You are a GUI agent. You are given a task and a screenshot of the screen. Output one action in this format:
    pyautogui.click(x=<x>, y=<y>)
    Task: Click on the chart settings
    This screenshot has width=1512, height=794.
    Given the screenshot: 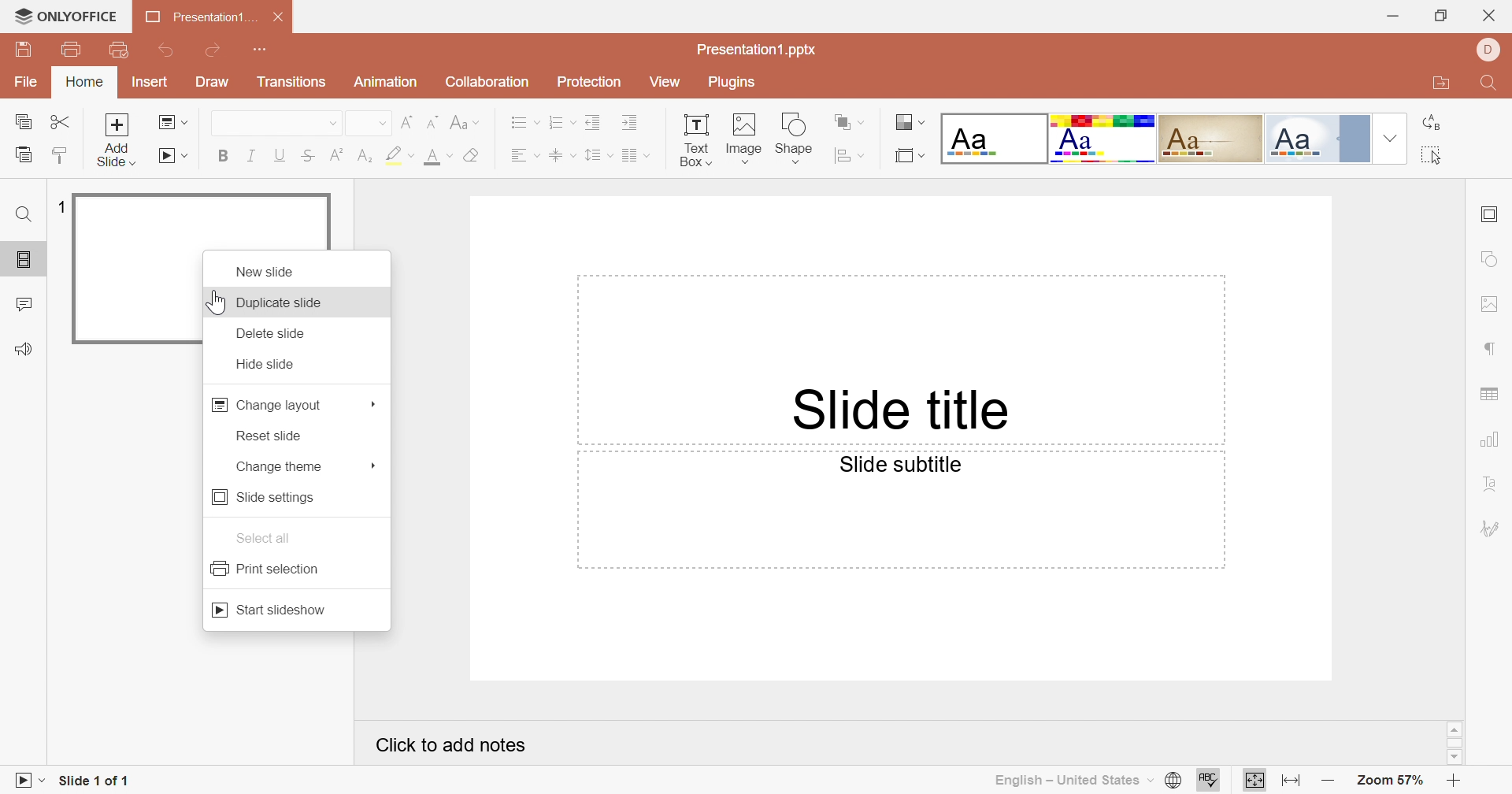 What is the action you would take?
    pyautogui.click(x=1490, y=440)
    